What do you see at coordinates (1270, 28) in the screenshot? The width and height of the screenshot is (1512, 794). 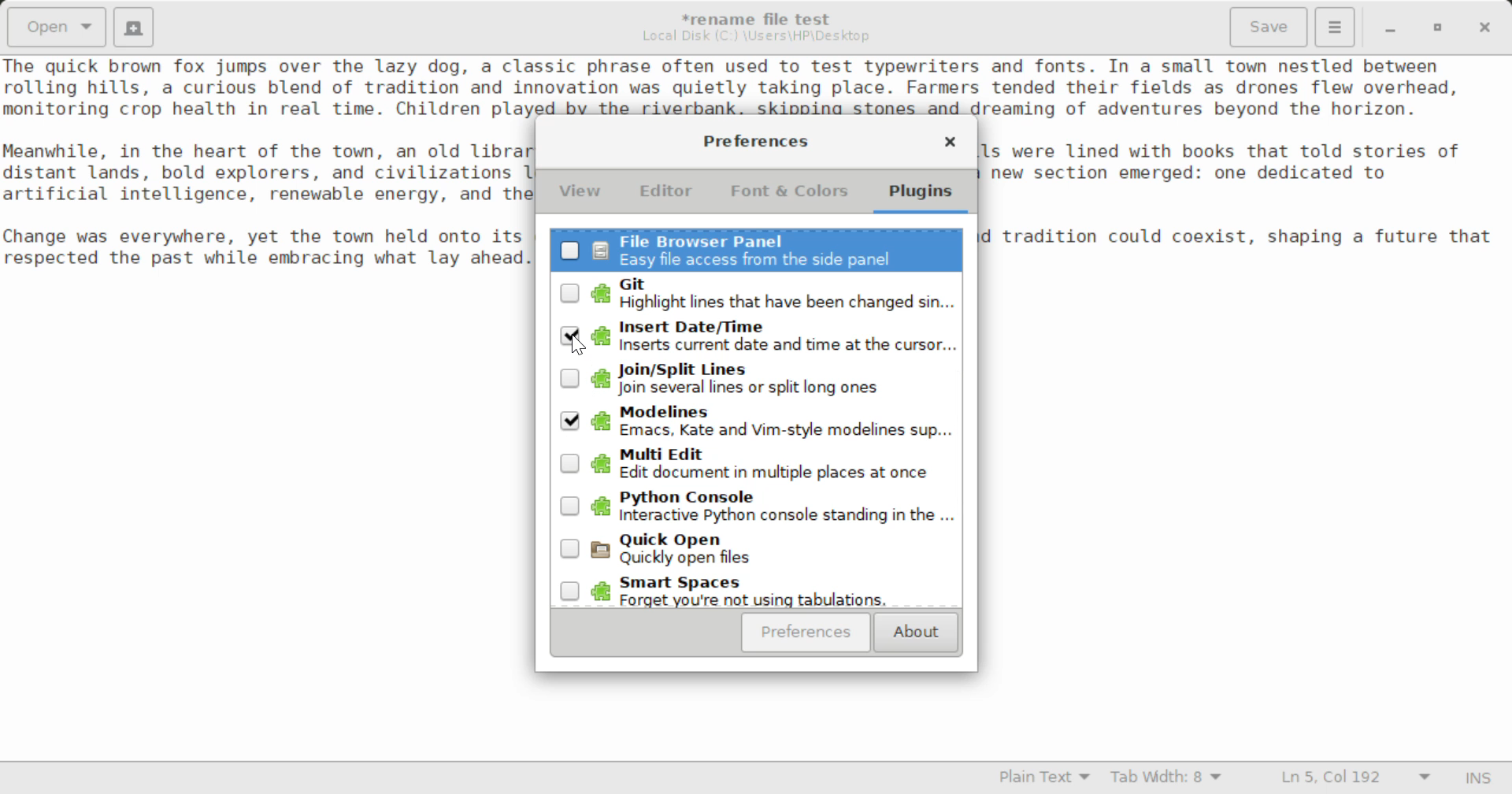 I see `Save` at bounding box center [1270, 28].